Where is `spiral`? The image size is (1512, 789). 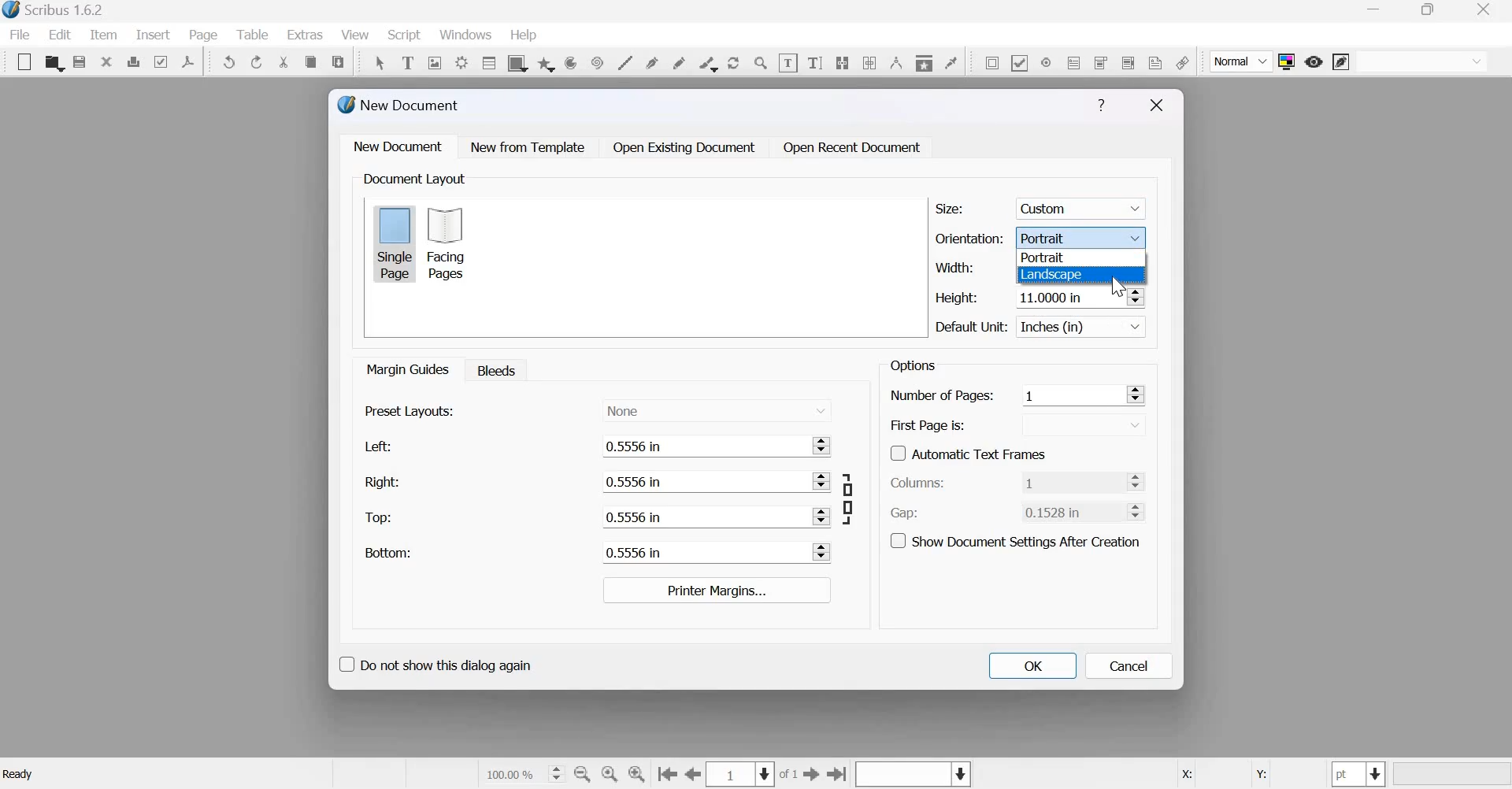
spiral is located at coordinates (595, 61).